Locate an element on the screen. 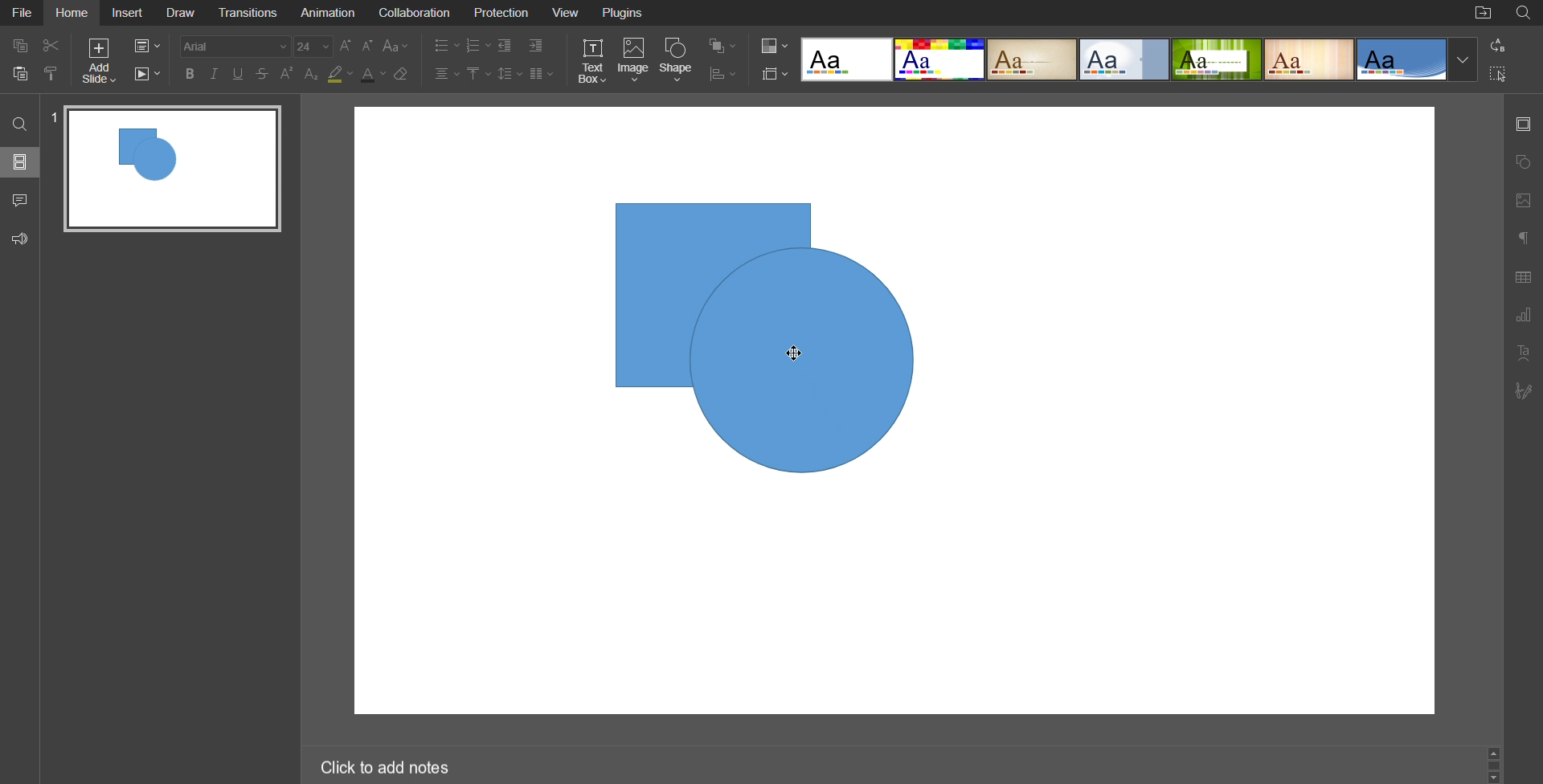 The width and height of the screenshot is (1543, 784). Line Spacing is located at coordinates (507, 72).